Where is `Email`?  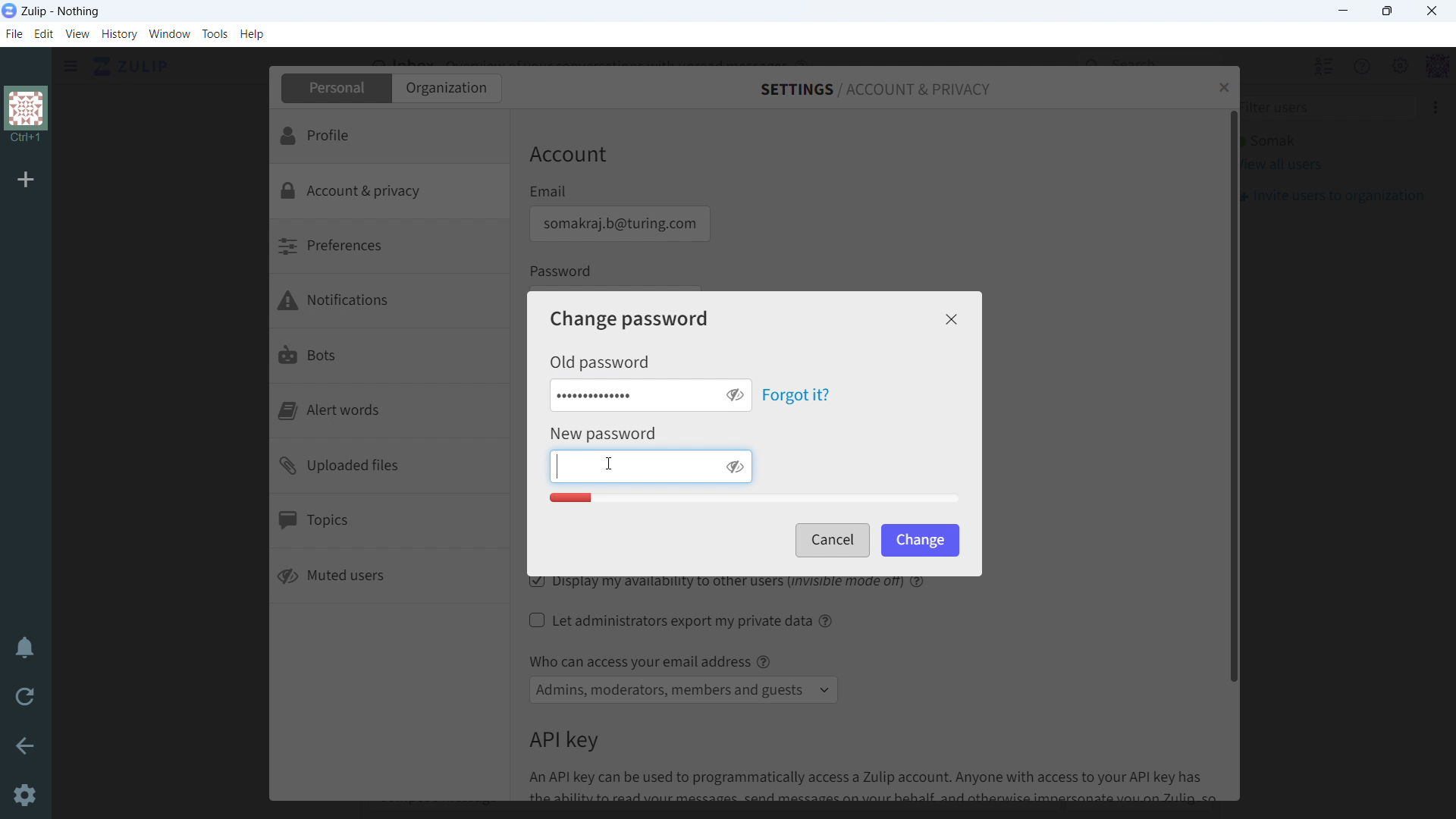 Email is located at coordinates (549, 191).